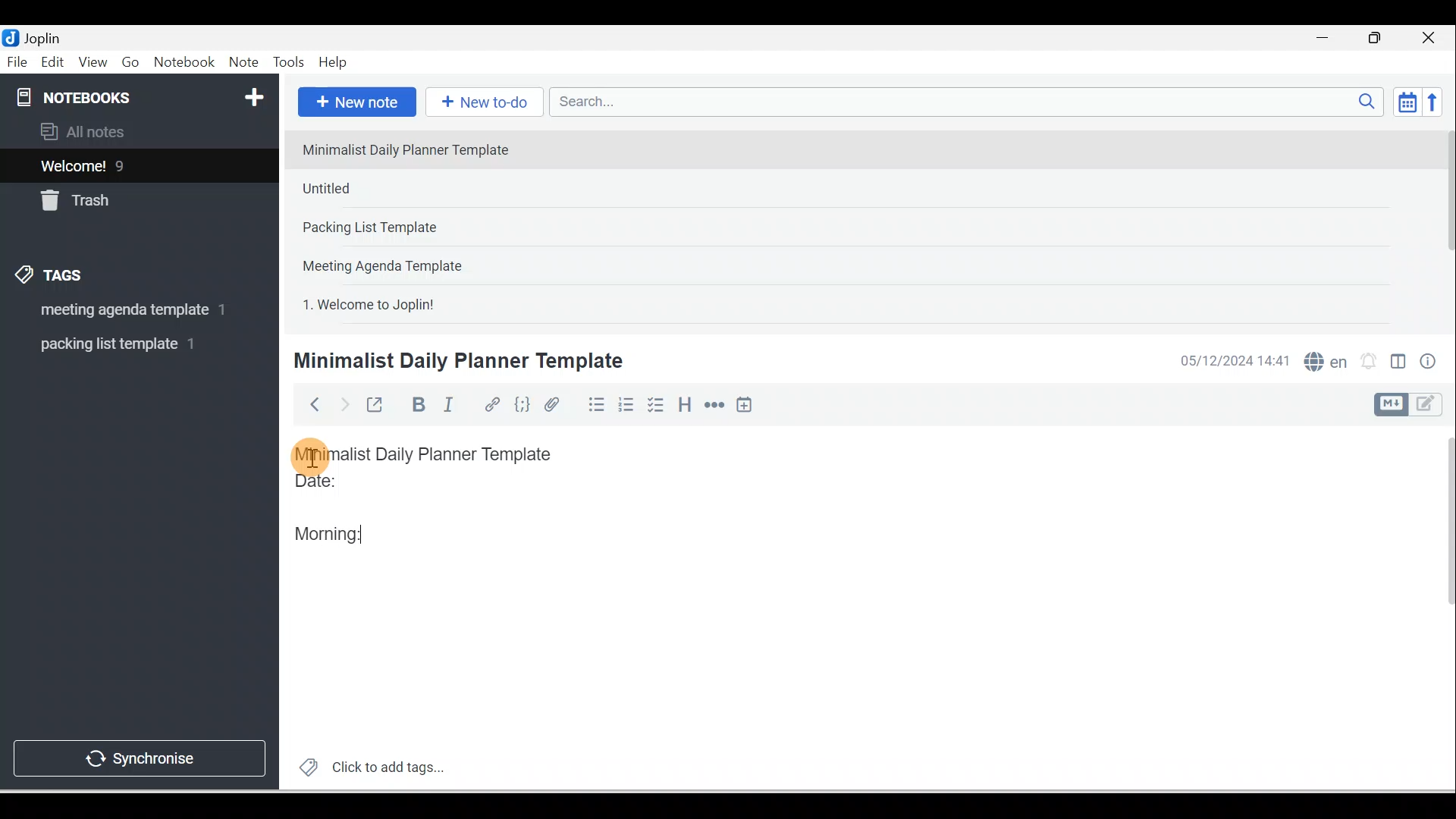  What do you see at coordinates (684, 403) in the screenshot?
I see `Heading` at bounding box center [684, 403].